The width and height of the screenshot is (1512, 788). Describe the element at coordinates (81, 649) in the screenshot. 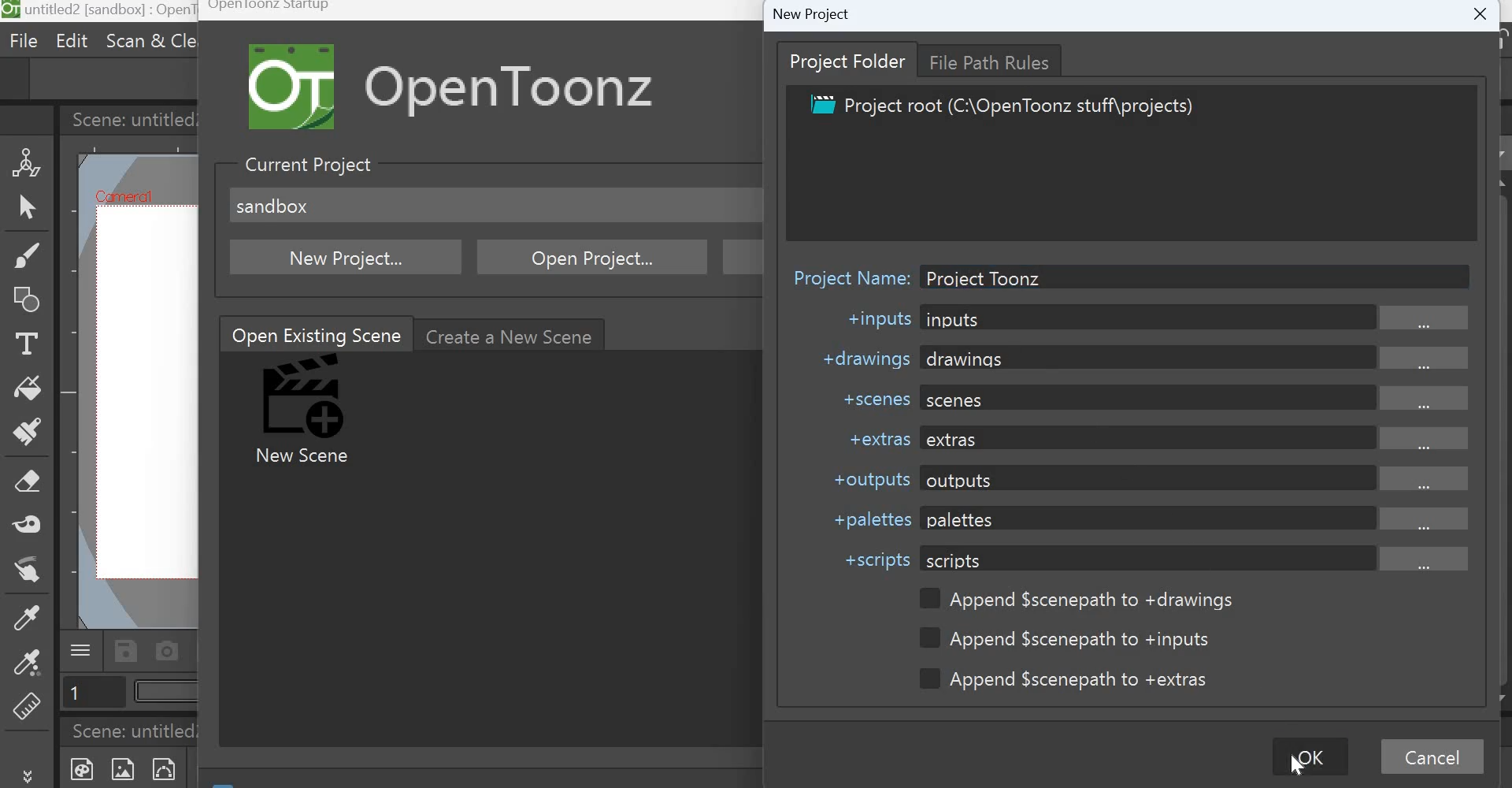

I see `Menu` at that location.